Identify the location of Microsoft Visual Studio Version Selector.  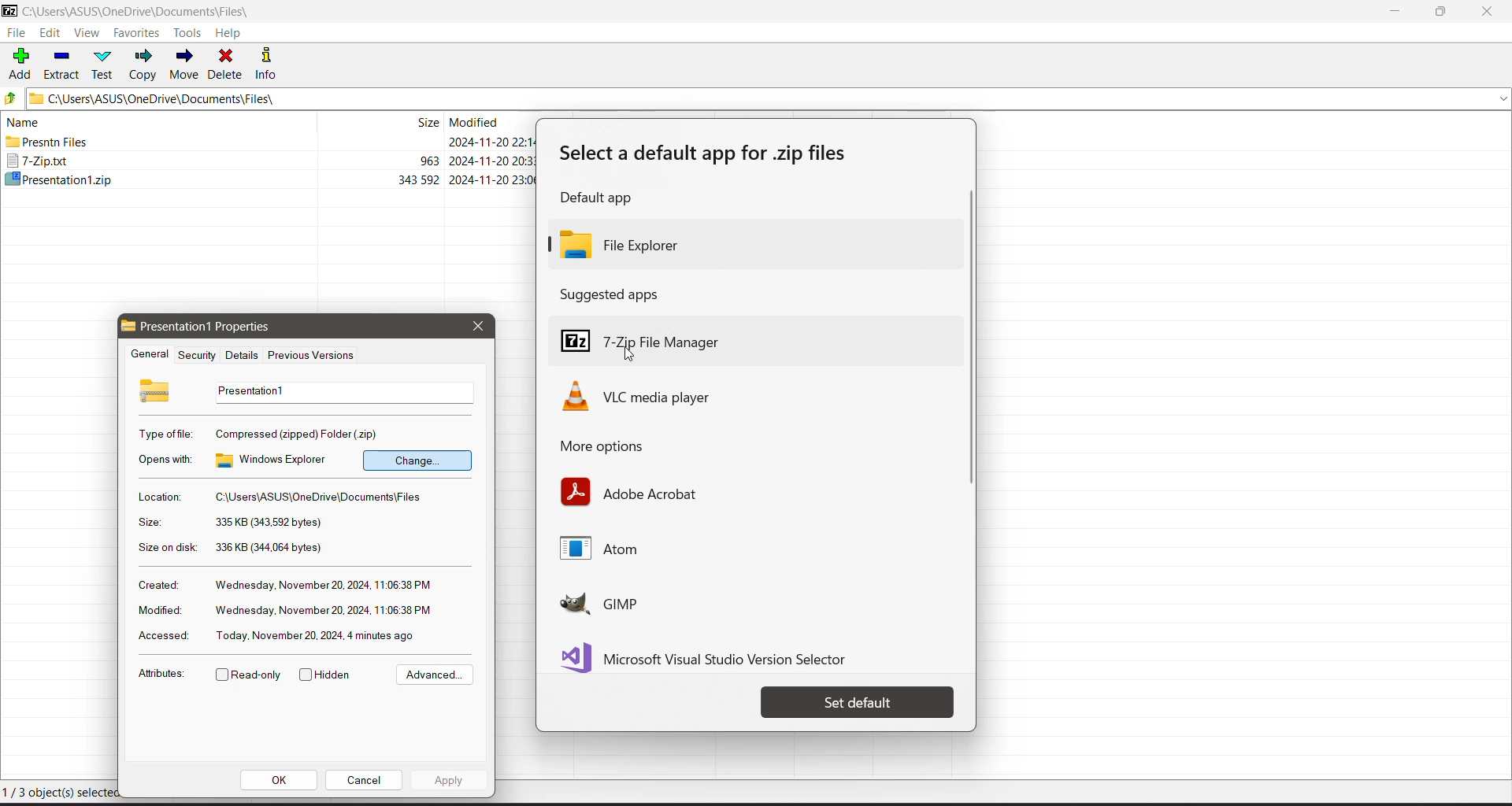
(712, 655).